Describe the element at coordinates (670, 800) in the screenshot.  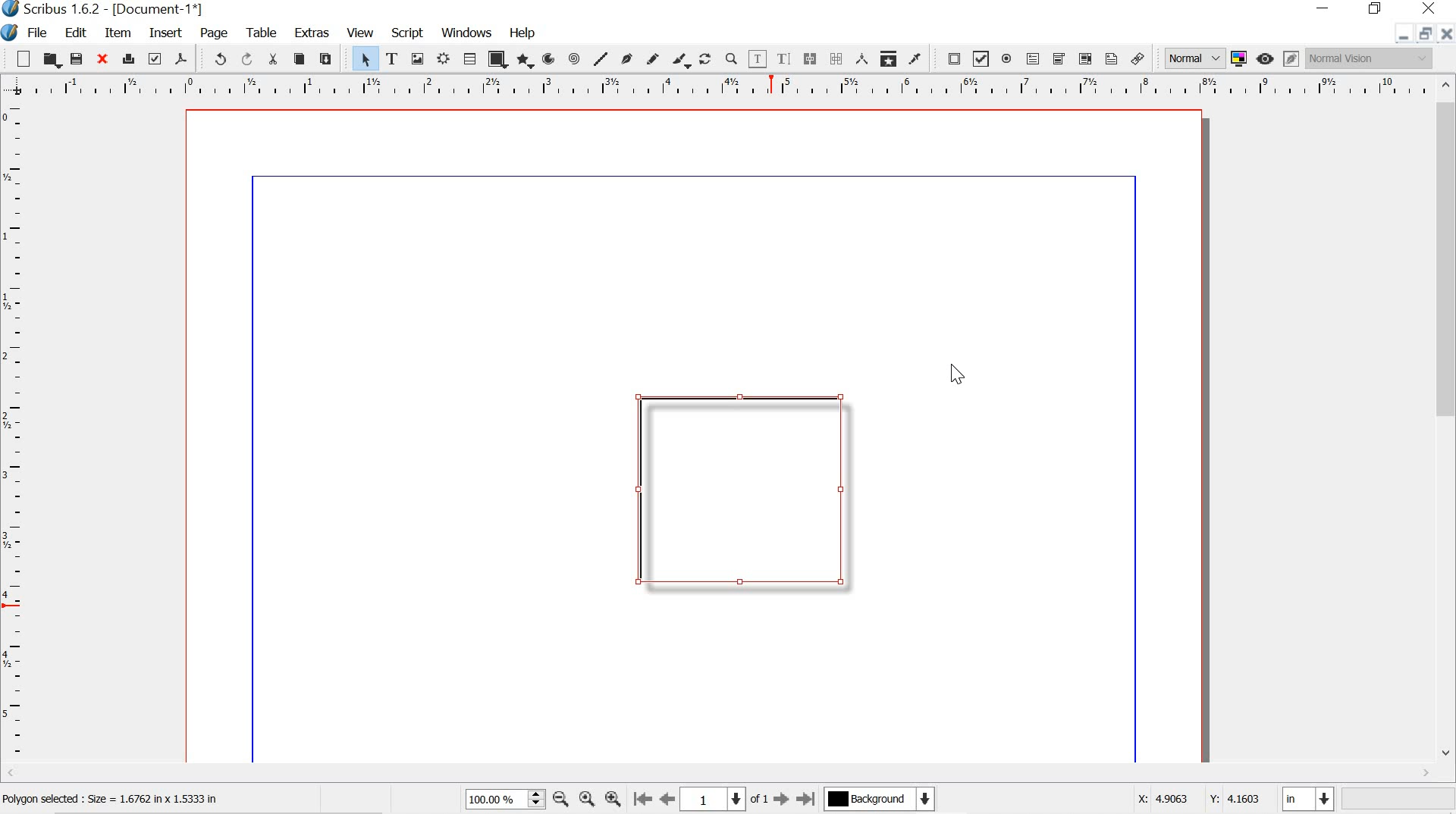
I see `go to the perious page` at that location.